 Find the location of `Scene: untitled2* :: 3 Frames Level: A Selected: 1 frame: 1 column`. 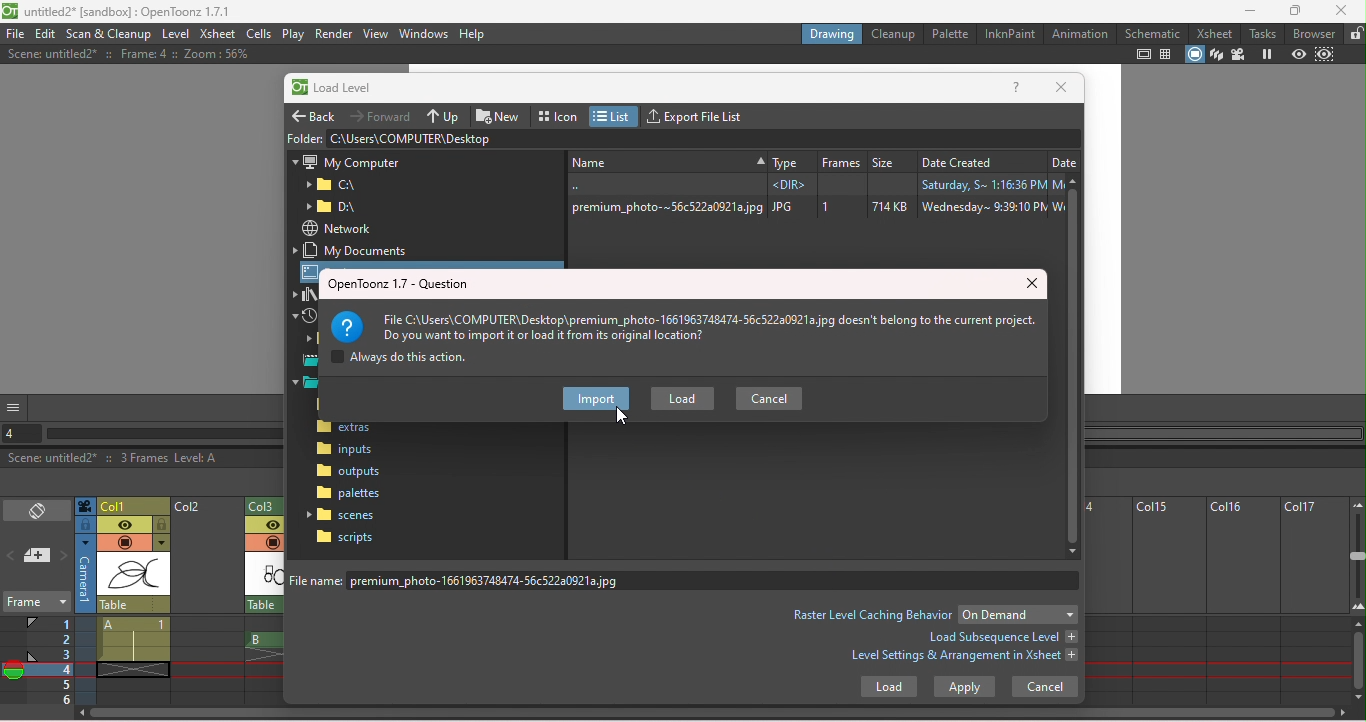

Scene: untitled2* :: 3 Frames Level: A Selected: 1 frame: 1 column is located at coordinates (142, 459).